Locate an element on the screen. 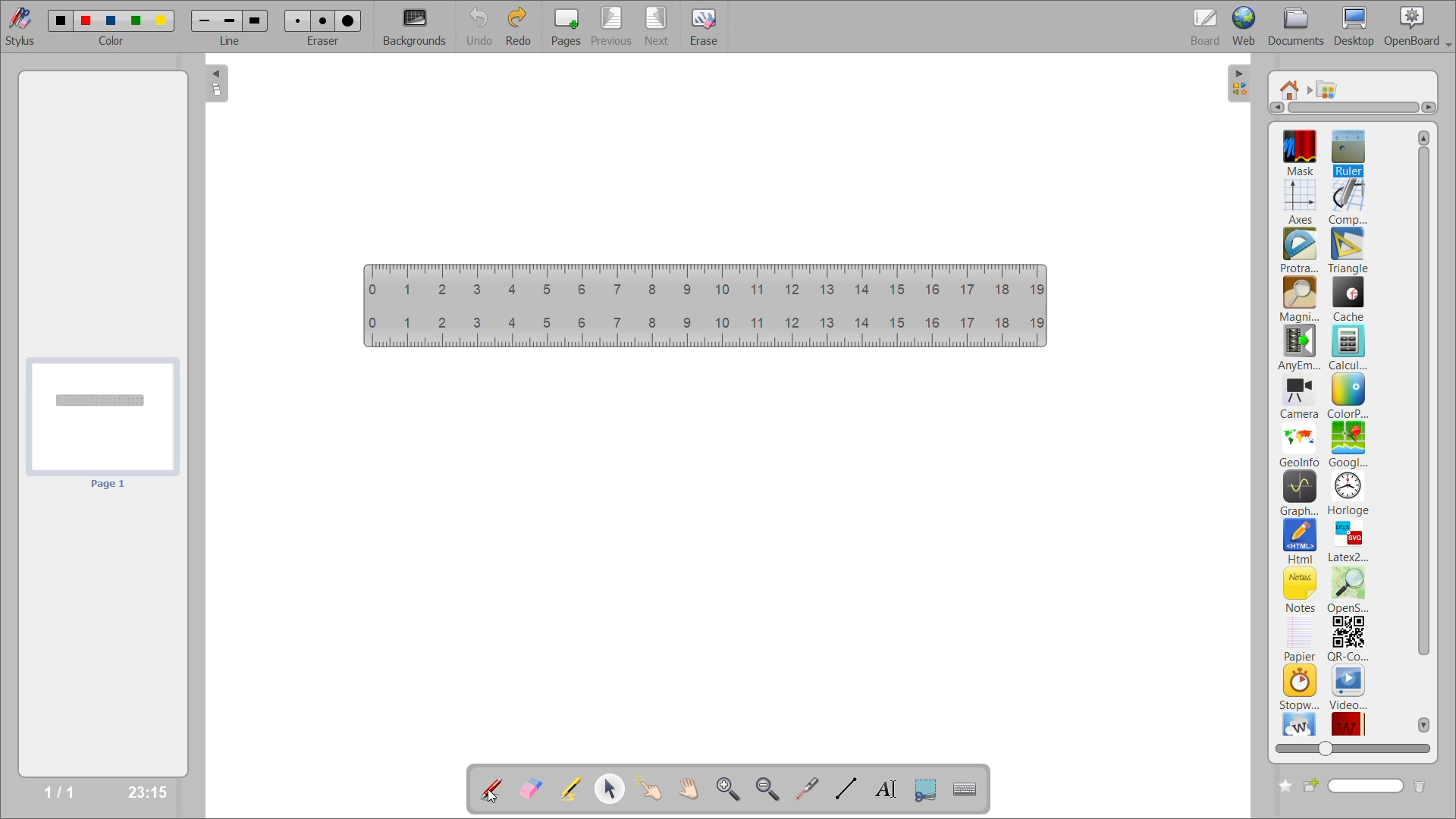  color 1 is located at coordinates (57, 20).